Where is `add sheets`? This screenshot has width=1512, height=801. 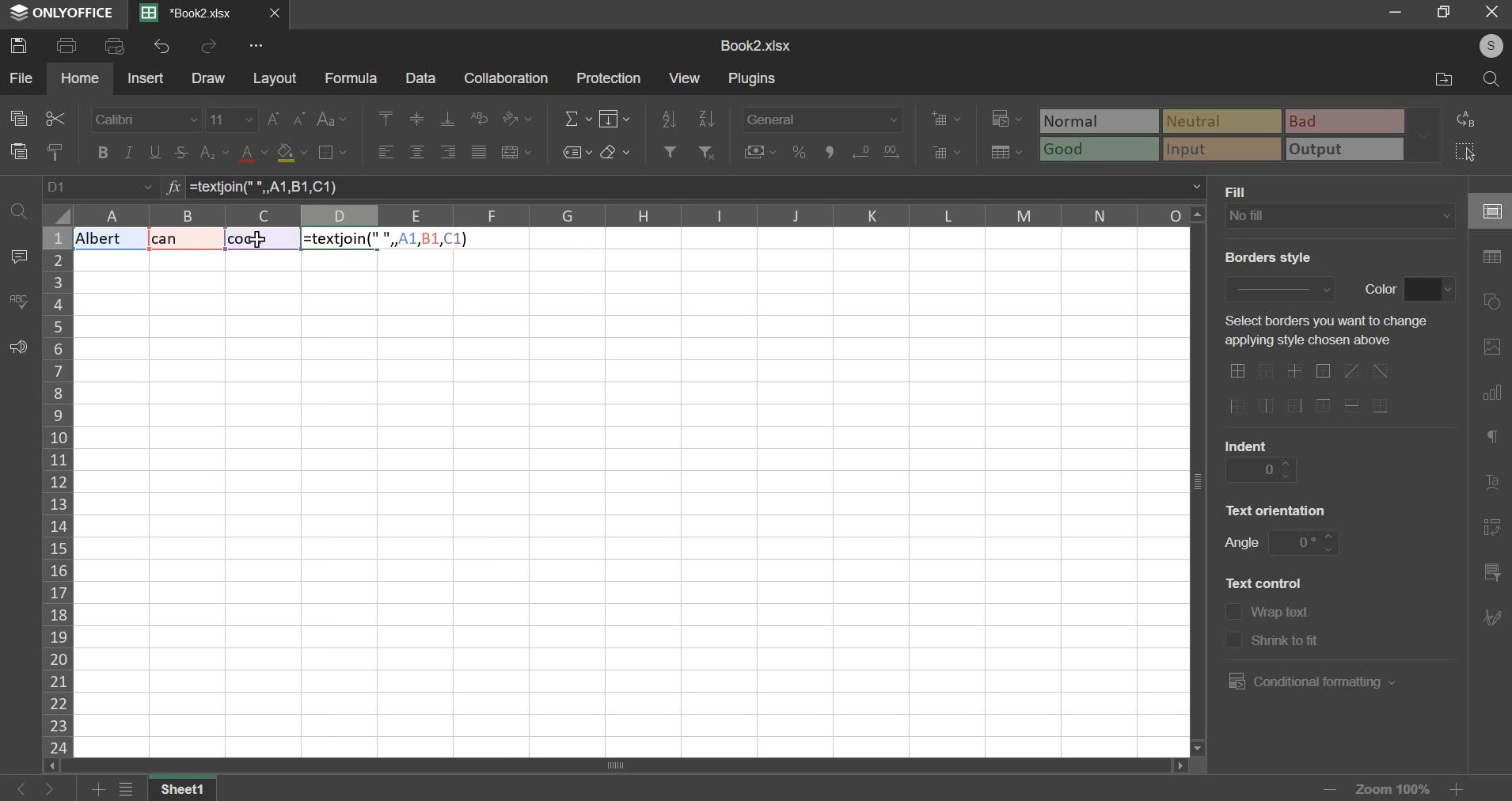
add sheets is located at coordinates (98, 790).